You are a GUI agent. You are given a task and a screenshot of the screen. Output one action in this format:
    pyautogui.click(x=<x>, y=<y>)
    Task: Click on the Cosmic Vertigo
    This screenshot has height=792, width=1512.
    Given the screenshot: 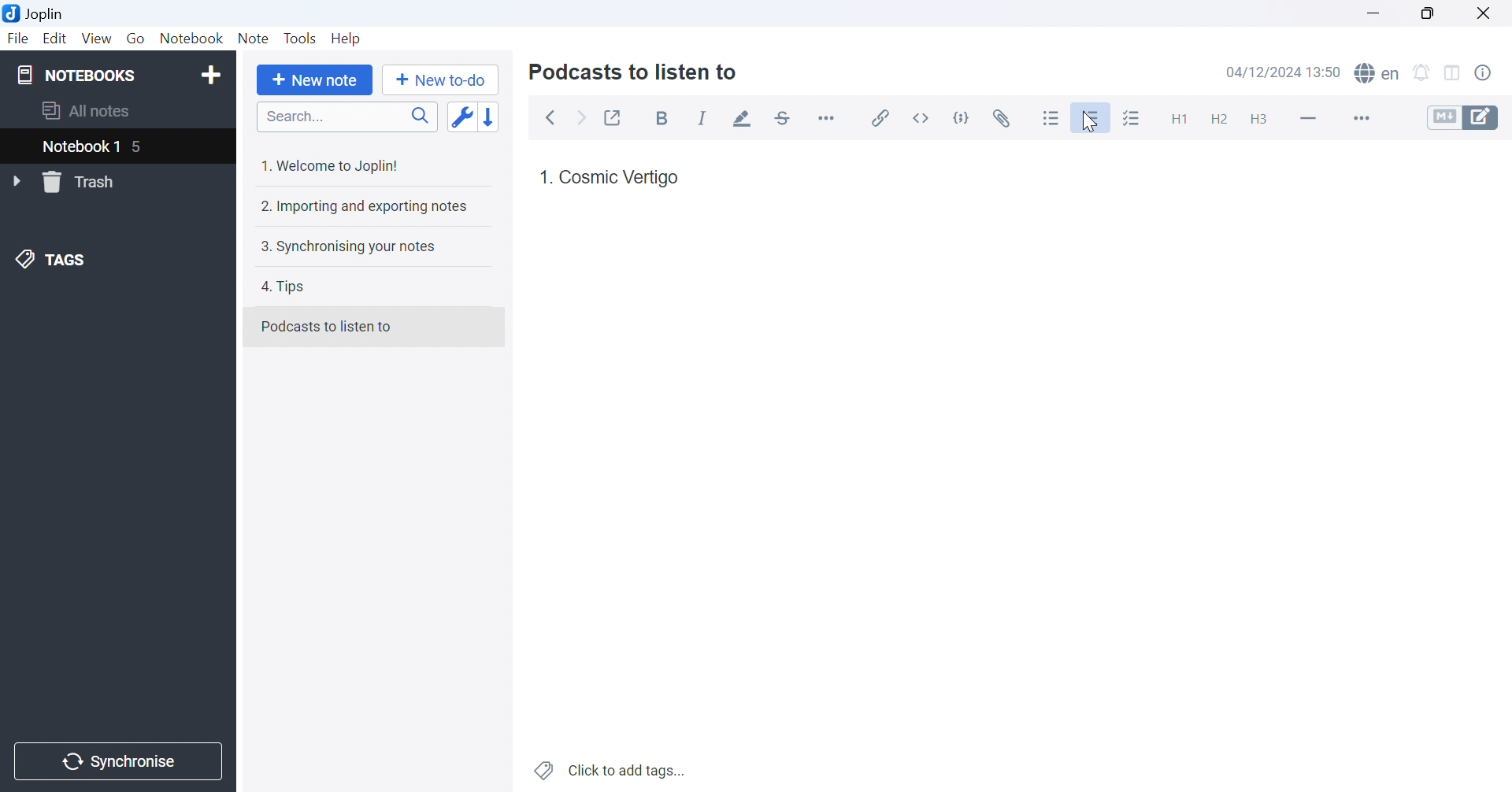 What is the action you would take?
    pyautogui.click(x=621, y=178)
    